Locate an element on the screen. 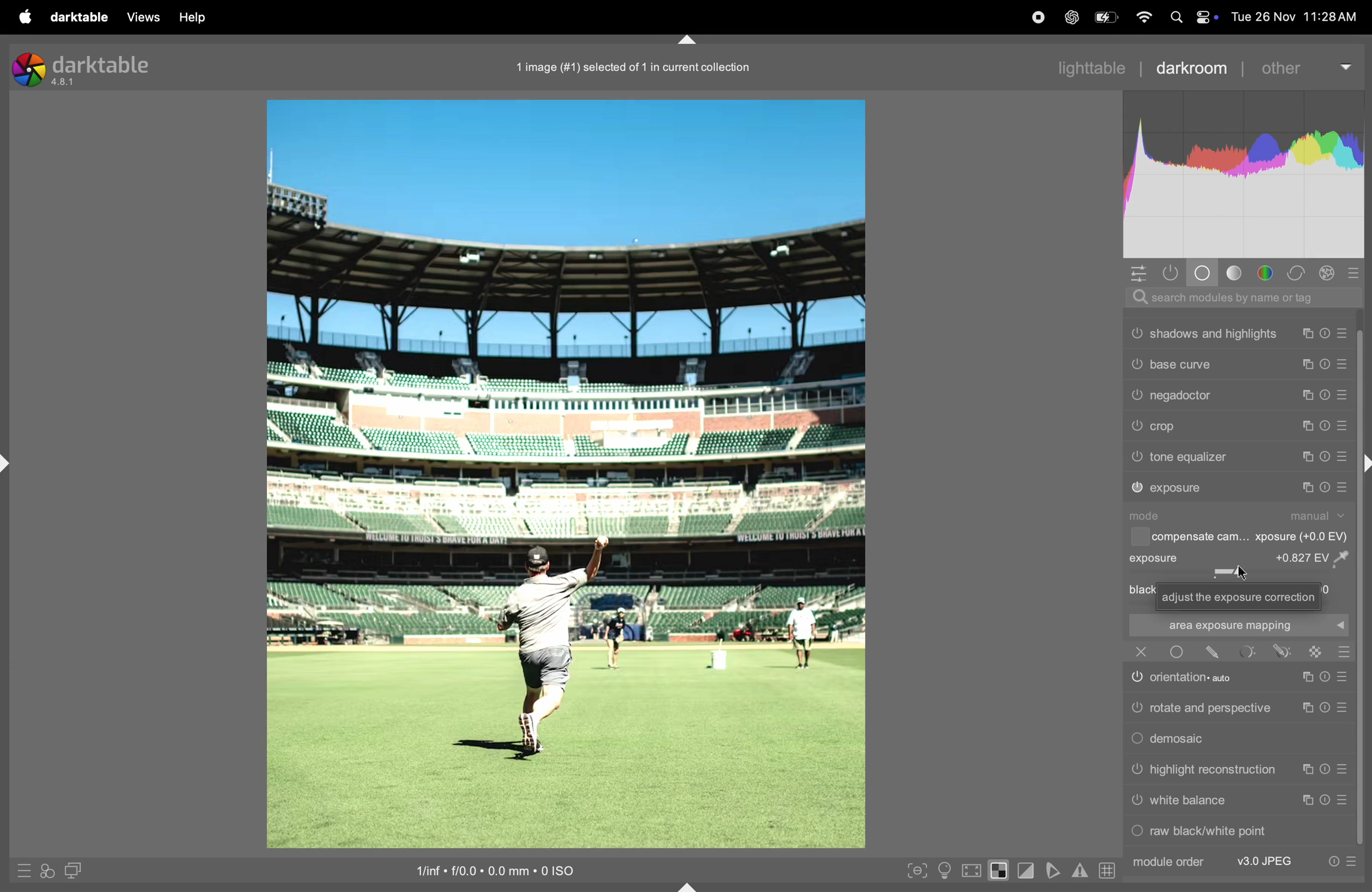 This screenshot has width=1372, height=892. rotate and perspective is located at coordinates (1211, 707).